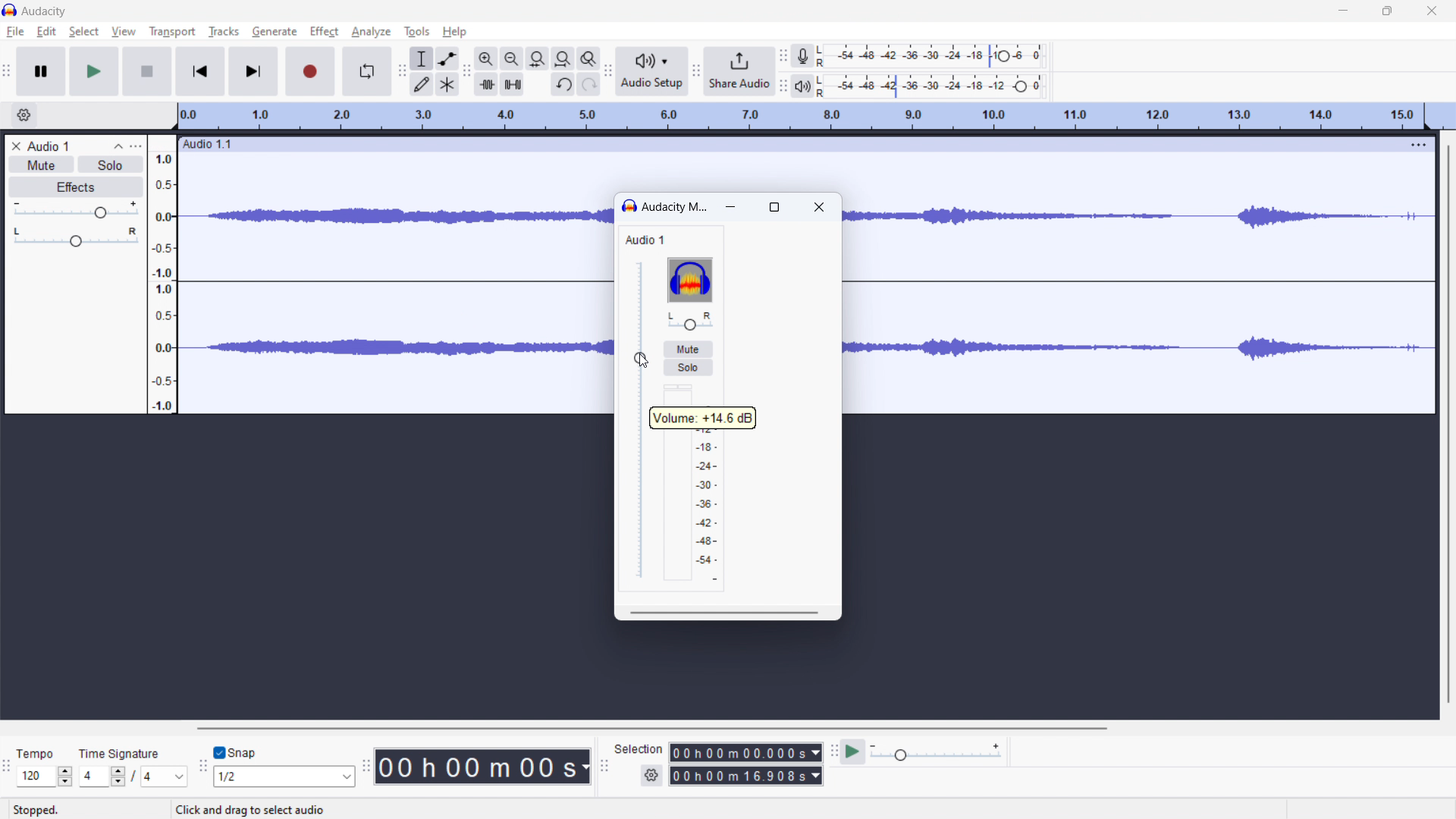 Image resolution: width=1456 pixels, height=819 pixels. What do you see at coordinates (563, 58) in the screenshot?
I see `fit project to width` at bounding box center [563, 58].